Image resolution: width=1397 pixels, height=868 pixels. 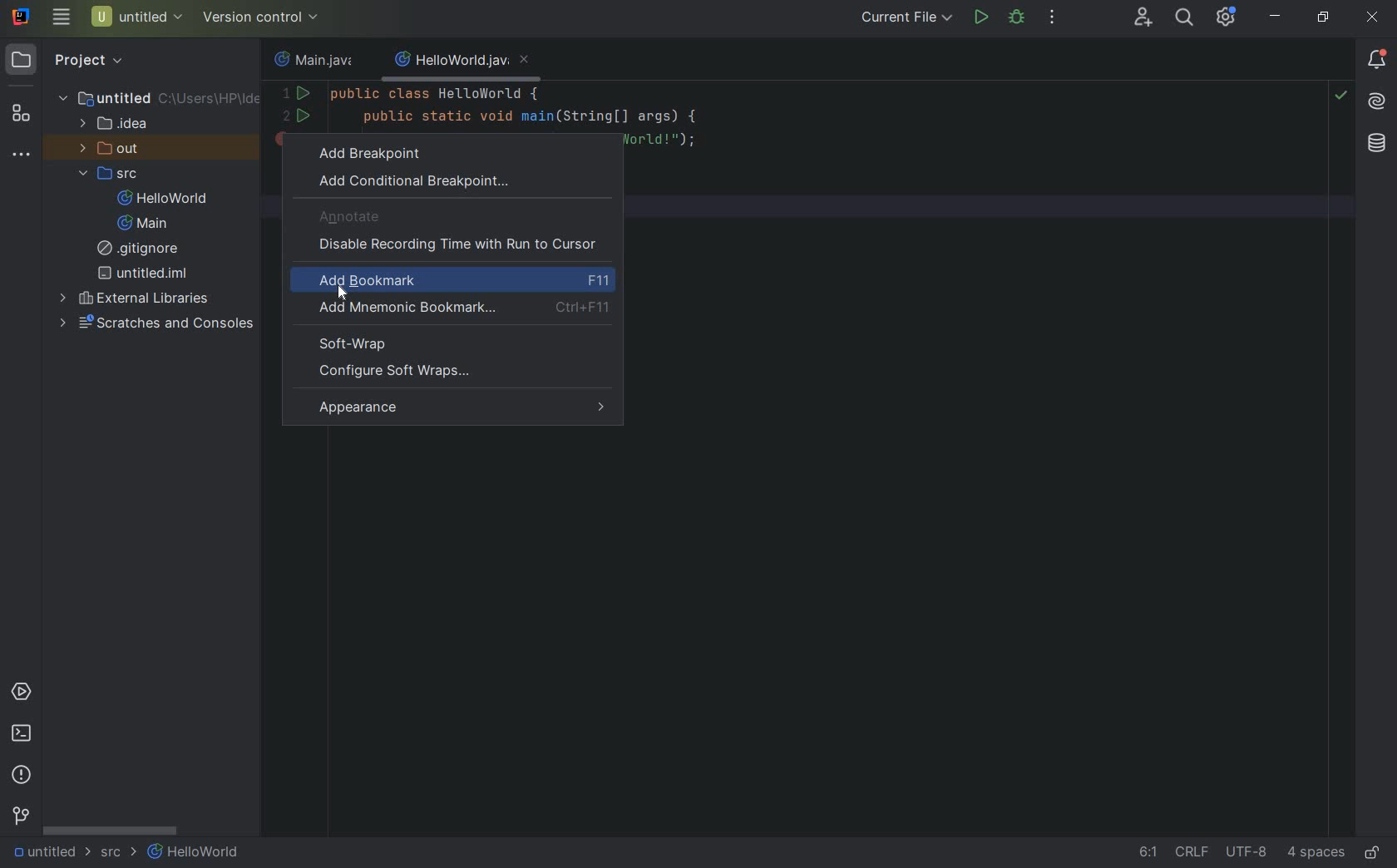 I want to click on problems, so click(x=22, y=775).